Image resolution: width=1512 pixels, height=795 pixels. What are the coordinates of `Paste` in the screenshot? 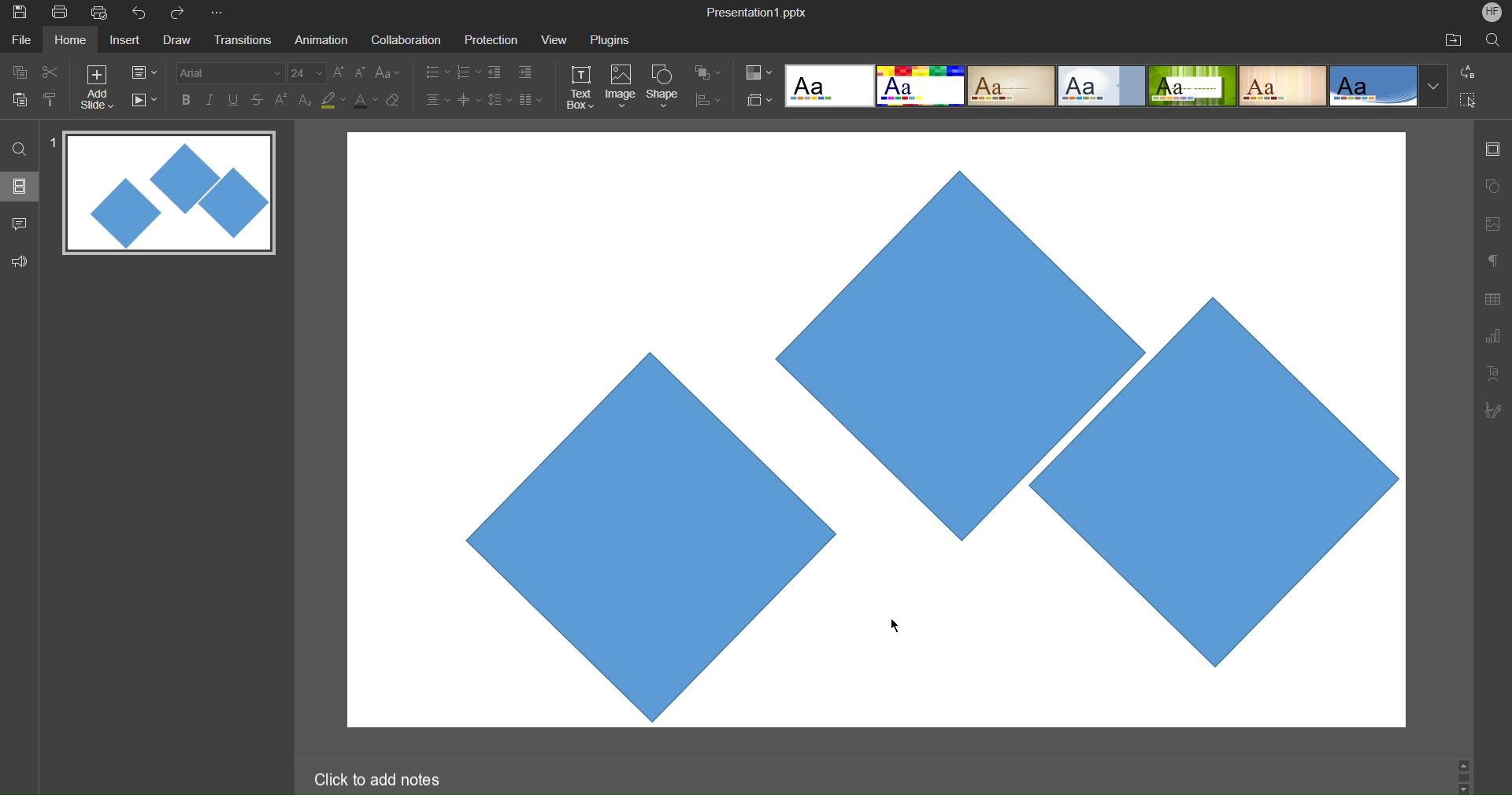 It's located at (20, 98).